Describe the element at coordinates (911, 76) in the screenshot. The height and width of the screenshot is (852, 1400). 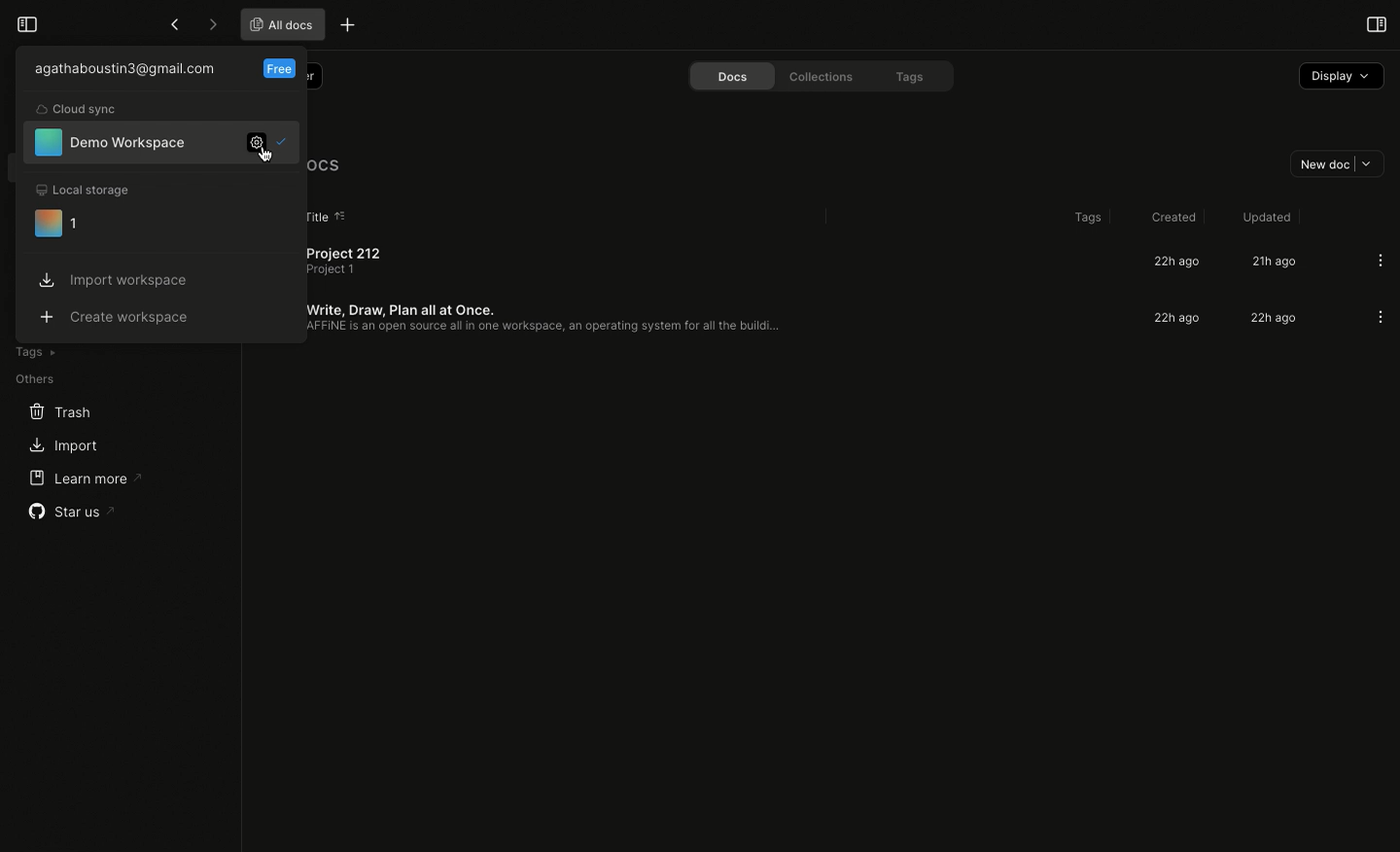
I see `Tags` at that location.